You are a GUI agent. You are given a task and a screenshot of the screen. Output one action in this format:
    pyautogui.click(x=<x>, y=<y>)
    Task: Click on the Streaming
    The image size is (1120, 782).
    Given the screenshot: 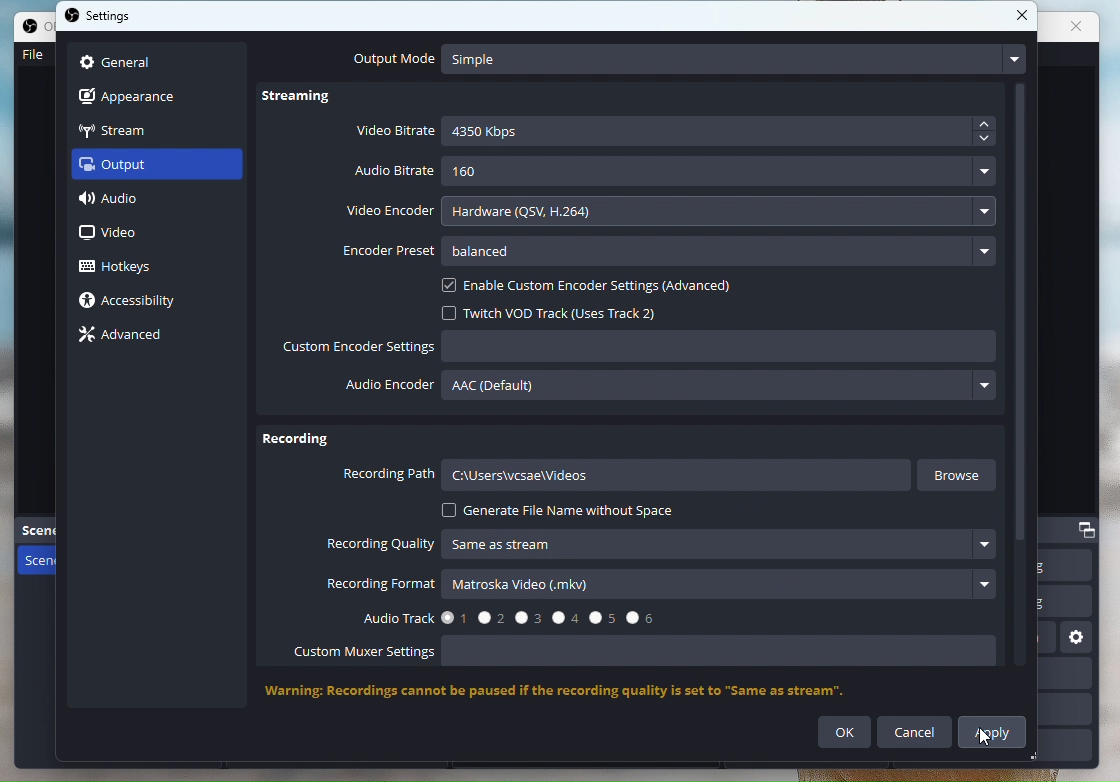 What is the action you would take?
    pyautogui.click(x=308, y=100)
    